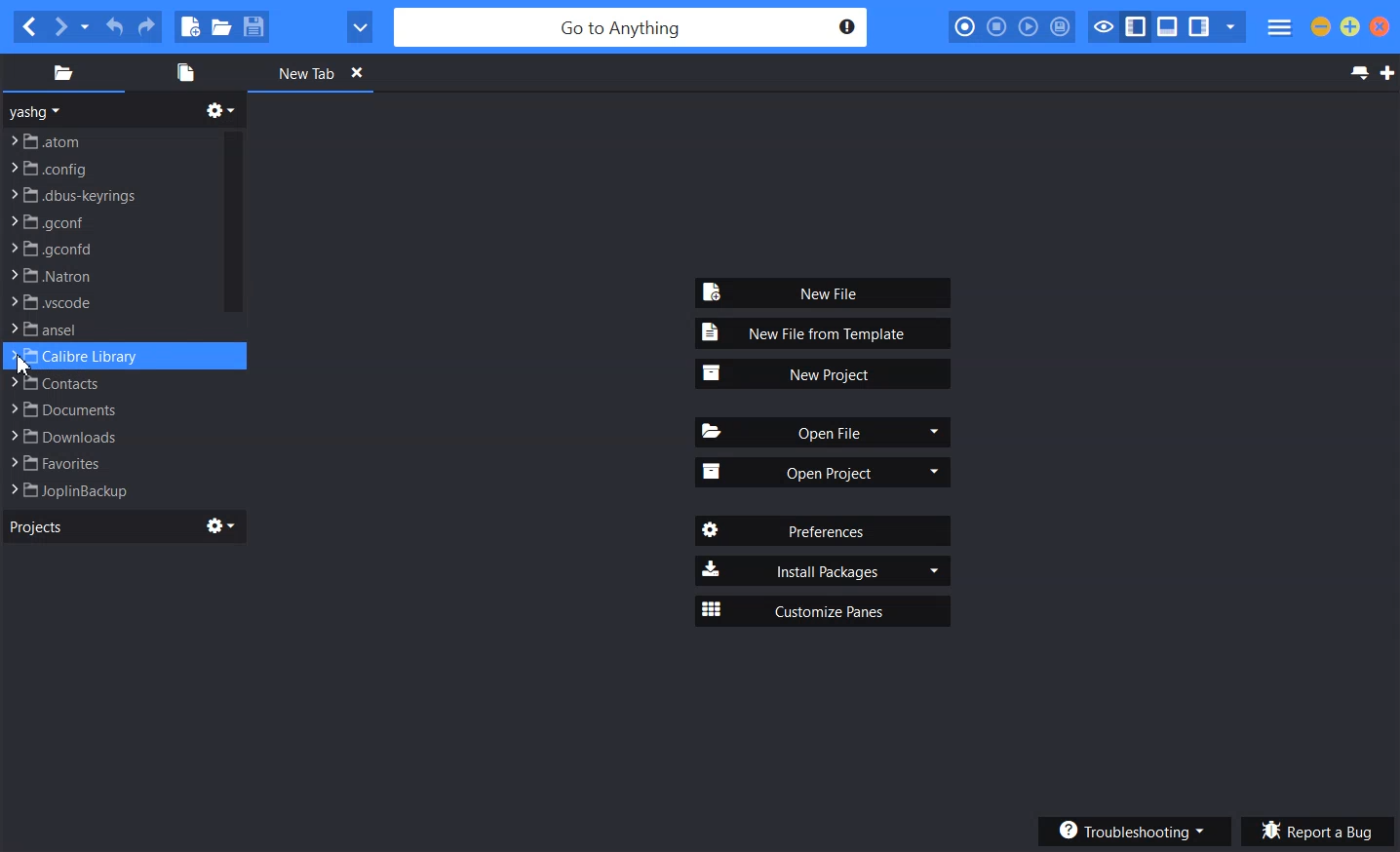  I want to click on Preferences, so click(821, 530).